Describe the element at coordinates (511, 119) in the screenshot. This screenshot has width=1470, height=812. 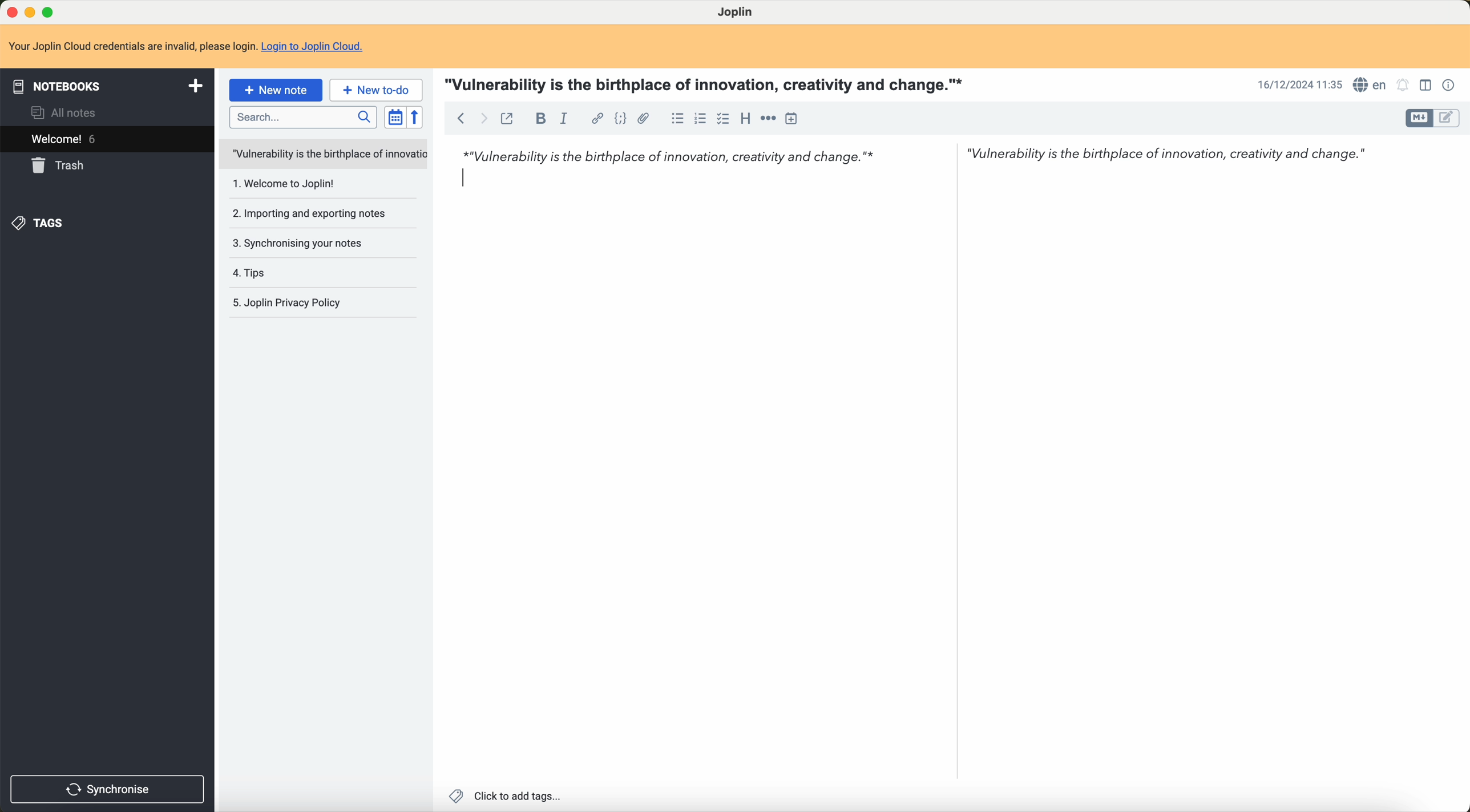
I see `toggle external editing` at that location.